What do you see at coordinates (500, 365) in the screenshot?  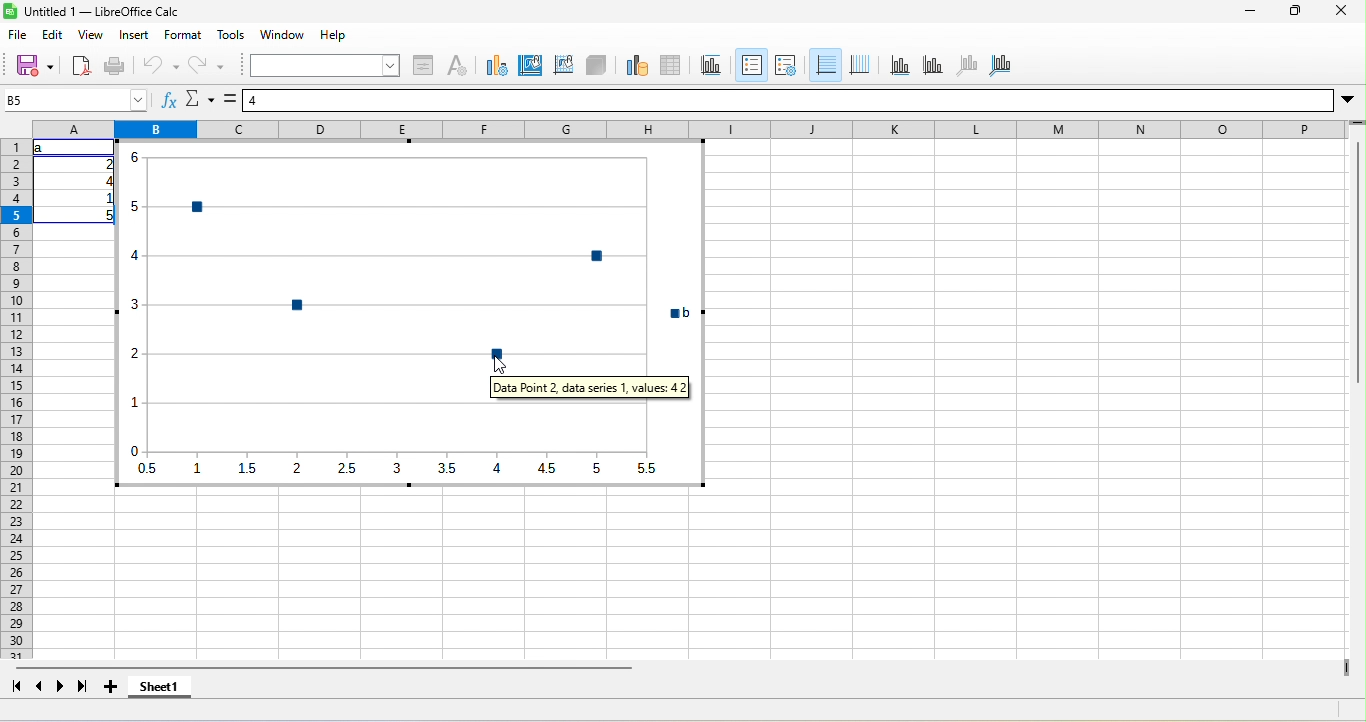 I see `cursor movement` at bounding box center [500, 365].